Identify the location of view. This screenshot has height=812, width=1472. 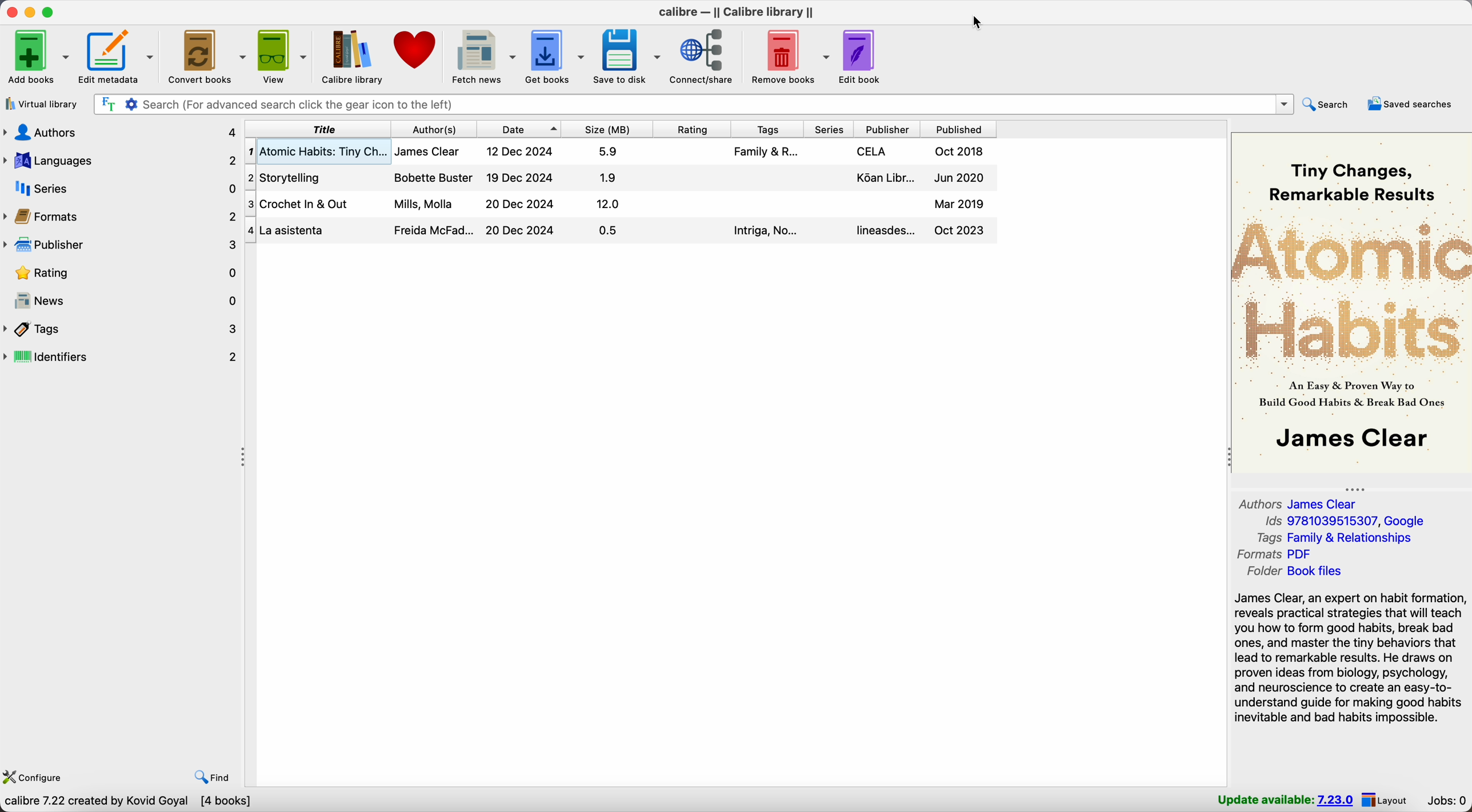
(283, 57).